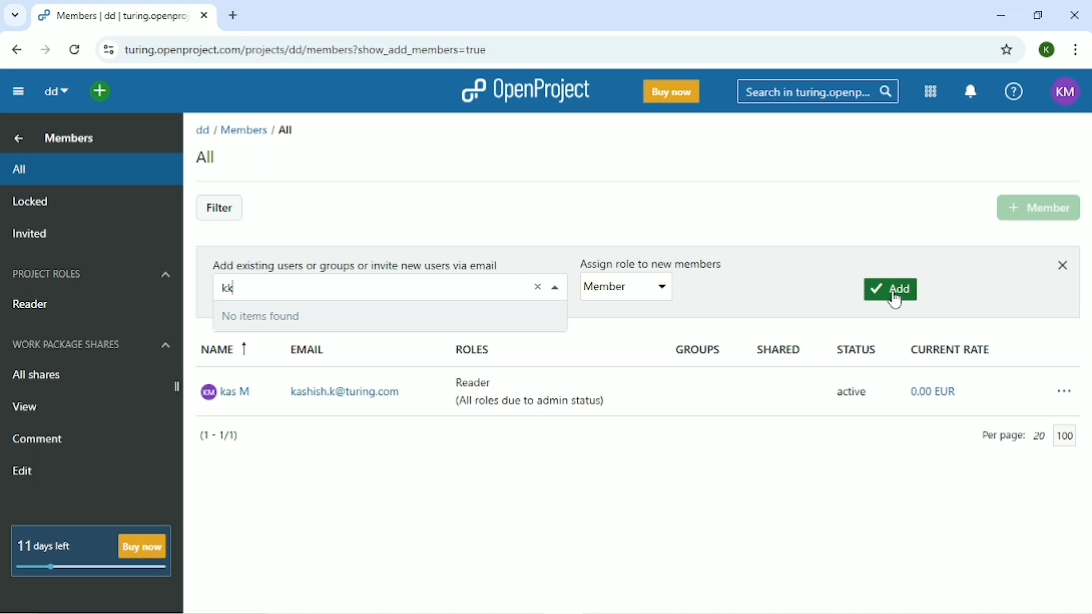  I want to click on kashish.k@turing.com, so click(347, 393).